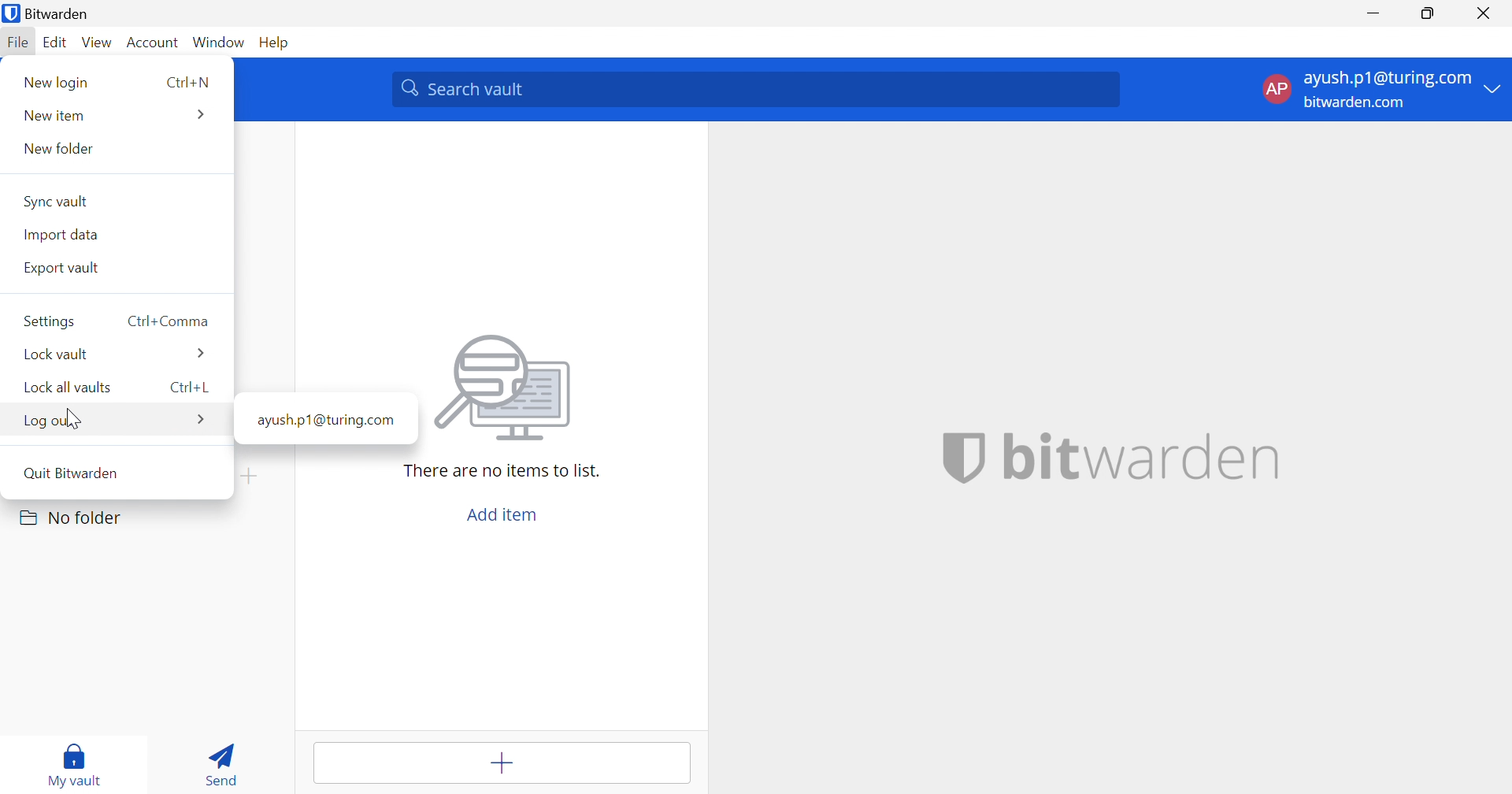 The width and height of the screenshot is (1512, 794). What do you see at coordinates (1377, 13) in the screenshot?
I see `Minimize` at bounding box center [1377, 13].